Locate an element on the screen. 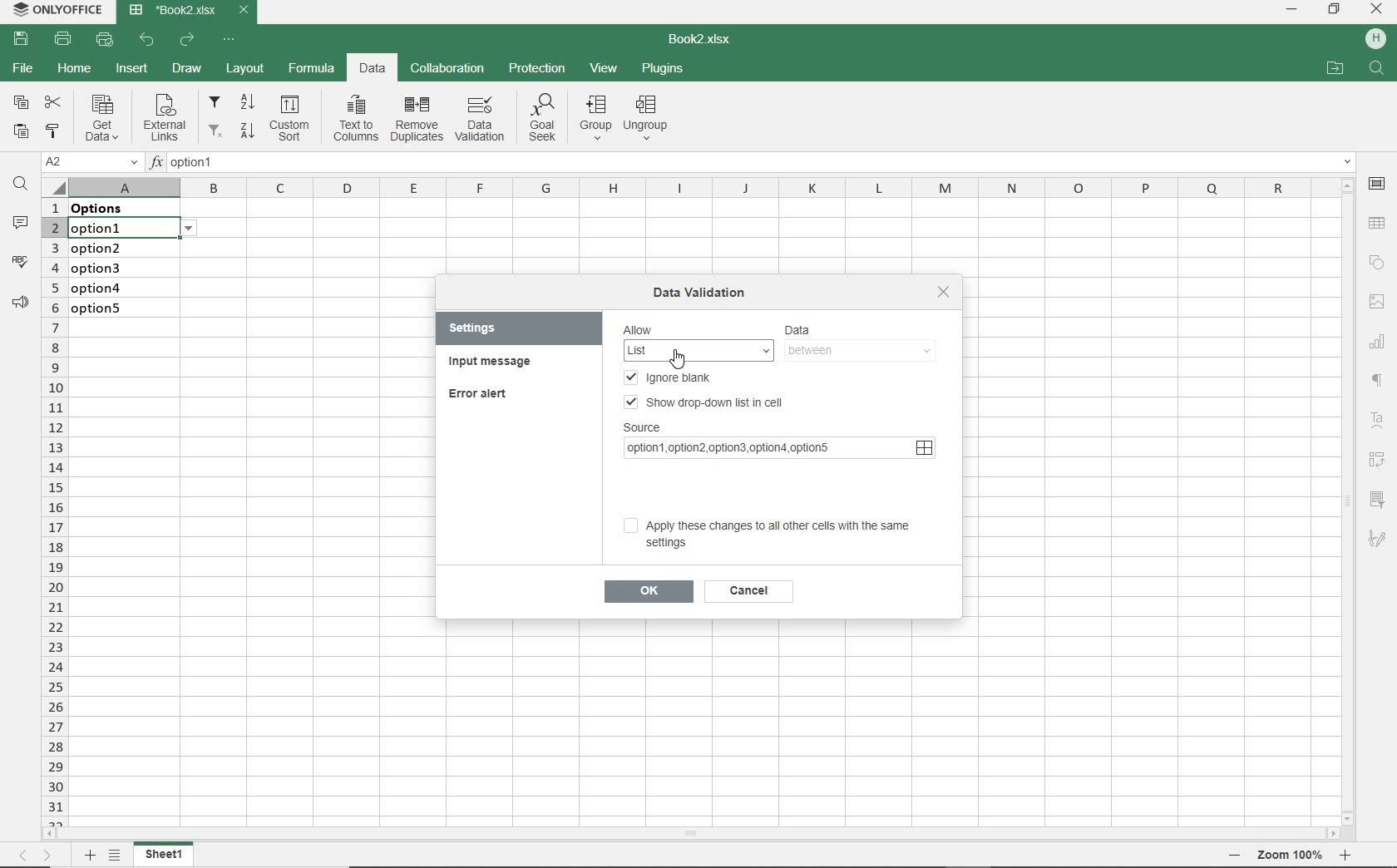  PROTECTION is located at coordinates (537, 69).